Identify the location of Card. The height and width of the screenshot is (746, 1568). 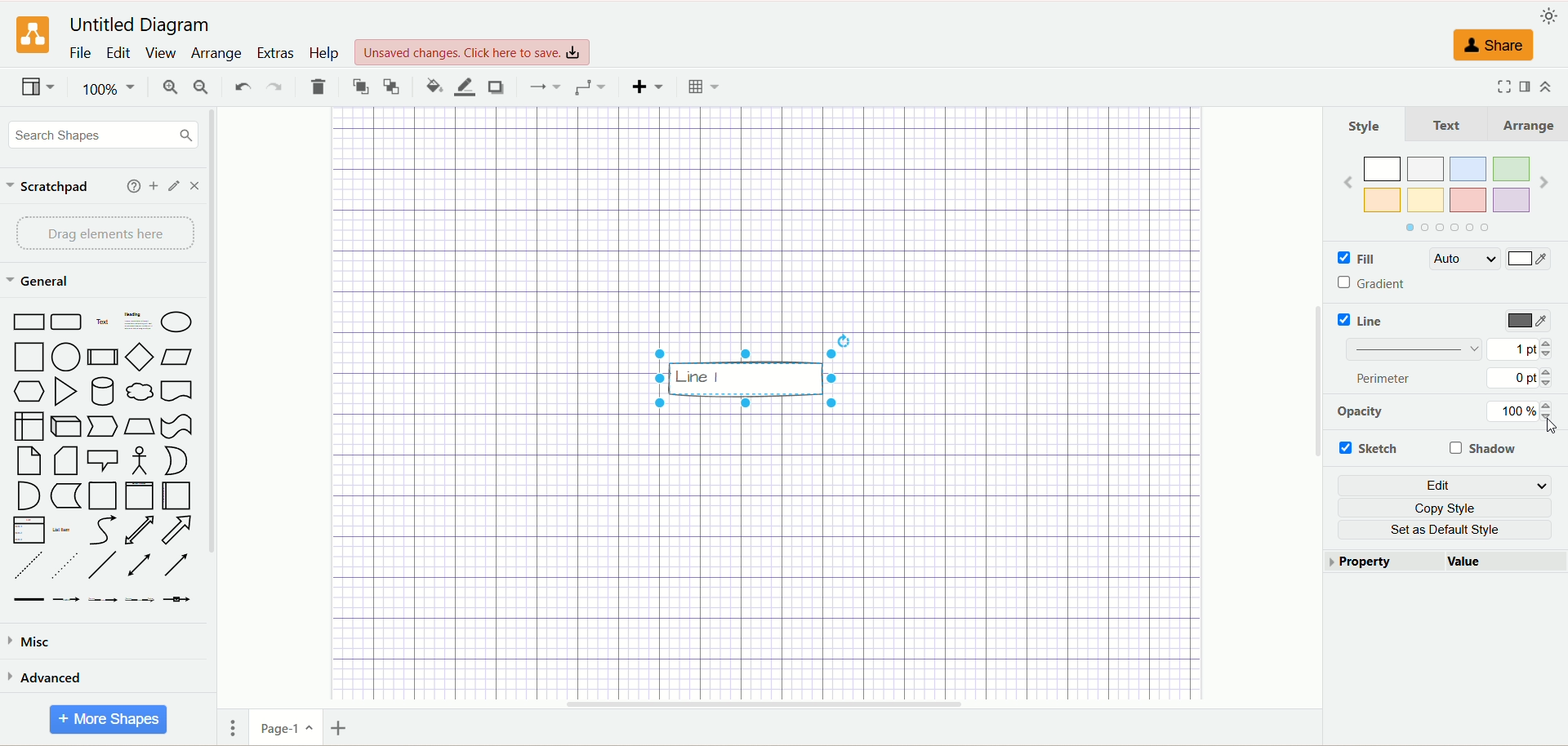
(65, 461).